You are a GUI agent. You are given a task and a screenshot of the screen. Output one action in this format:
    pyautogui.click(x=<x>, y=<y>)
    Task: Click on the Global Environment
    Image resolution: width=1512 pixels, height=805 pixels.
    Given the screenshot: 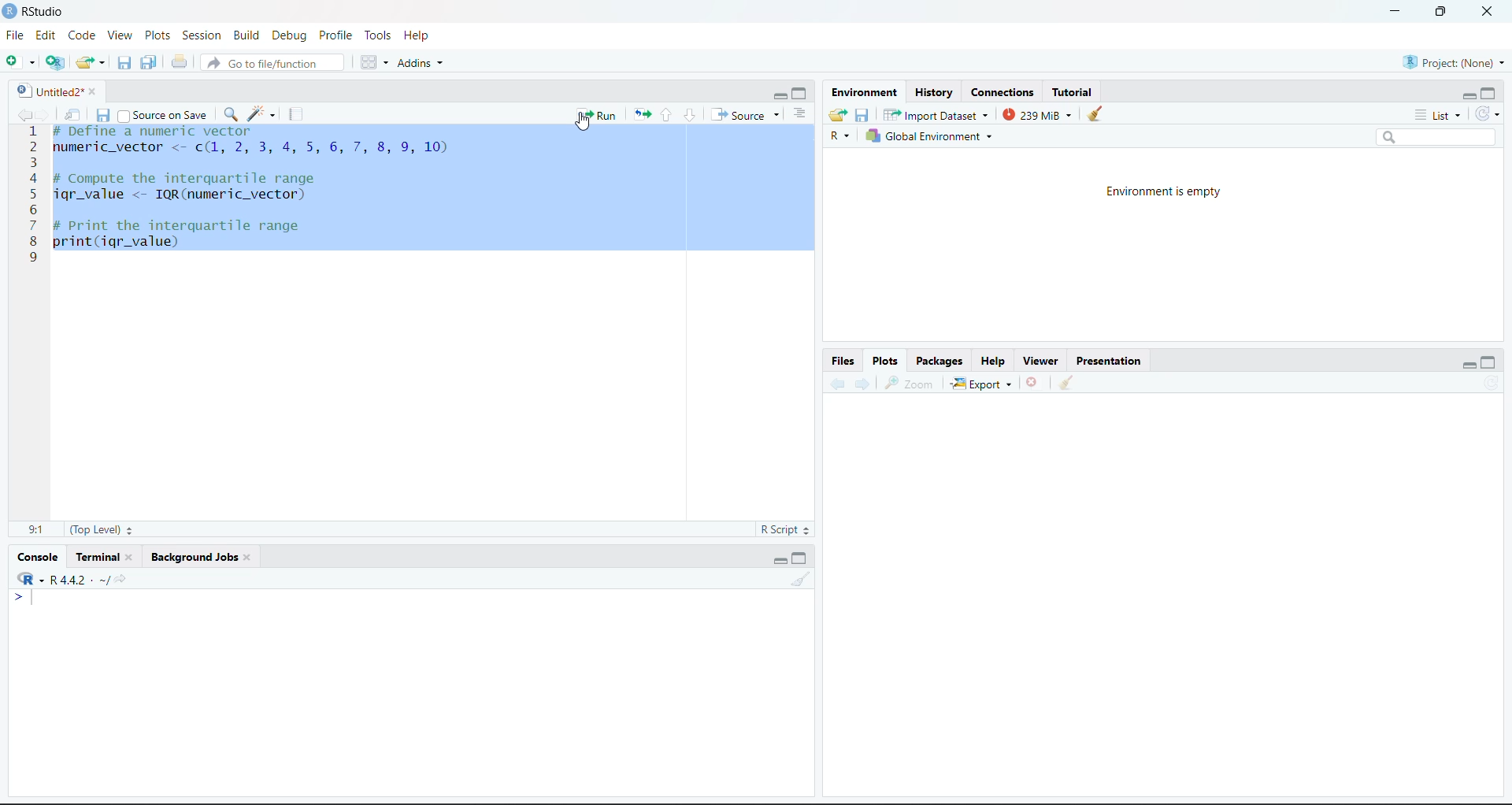 What is the action you would take?
    pyautogui.click(x=944, y=138)
    